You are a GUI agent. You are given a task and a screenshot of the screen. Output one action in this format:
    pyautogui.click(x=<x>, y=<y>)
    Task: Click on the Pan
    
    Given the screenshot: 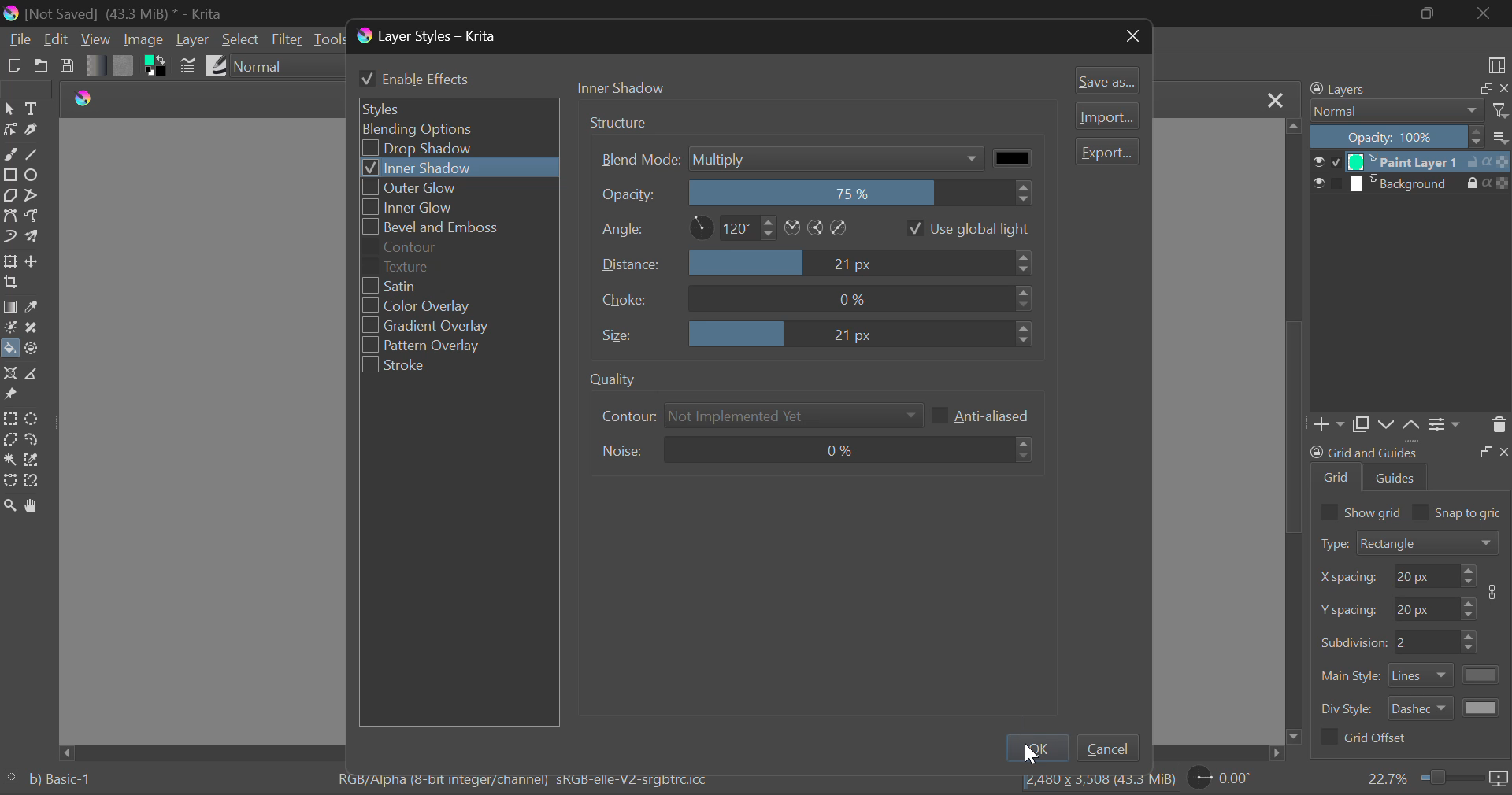 What is the action you would take?
    pyautogui.click(x=33, y=506)
    